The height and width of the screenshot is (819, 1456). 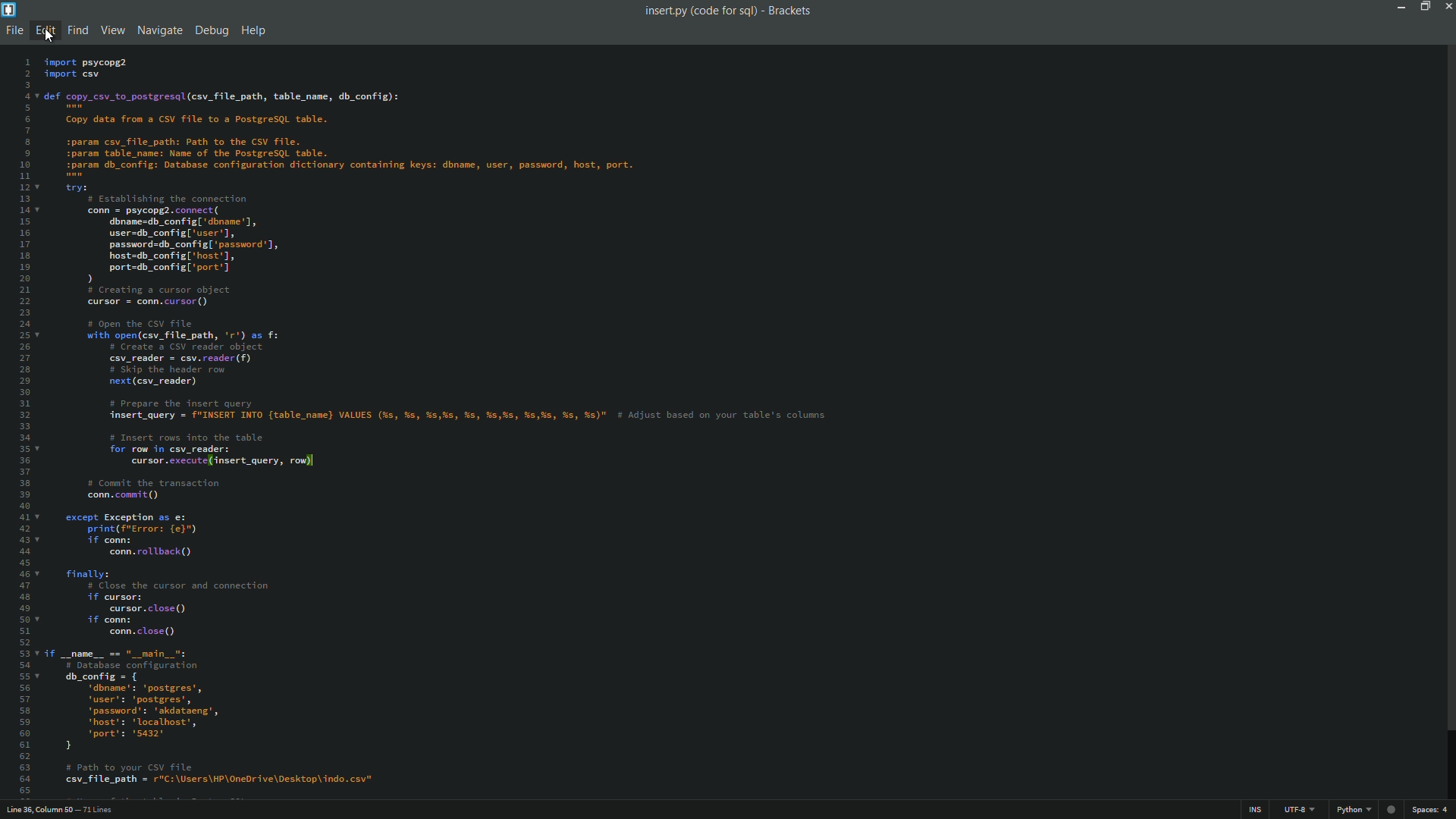 I want to click on file encoding, so click(x=1301, y=810).